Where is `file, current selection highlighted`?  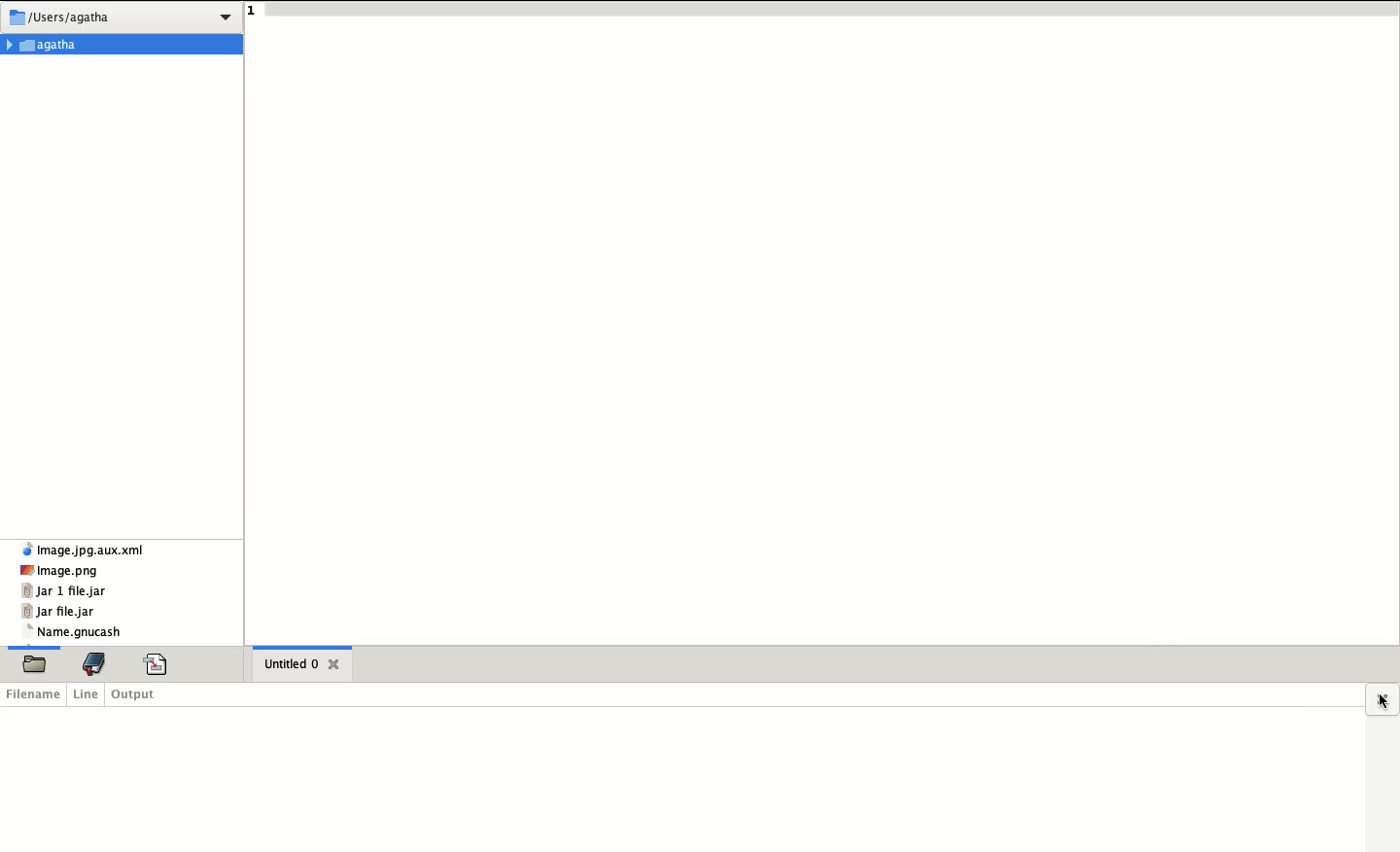
file, current selection highlighted is located at coordinates (34, 663).